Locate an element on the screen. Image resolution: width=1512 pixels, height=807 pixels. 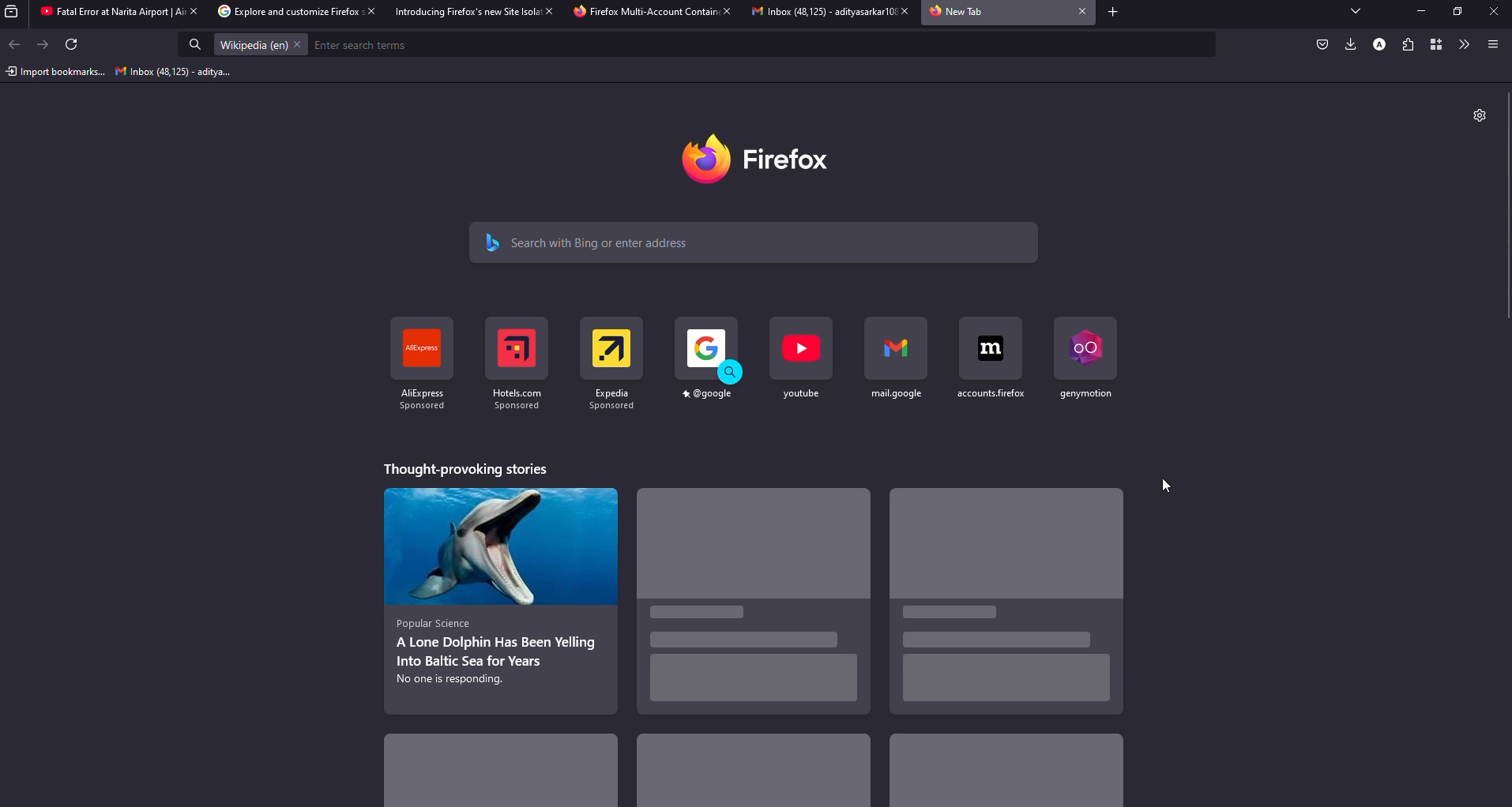
extension is located at coordinates (1409, 44).